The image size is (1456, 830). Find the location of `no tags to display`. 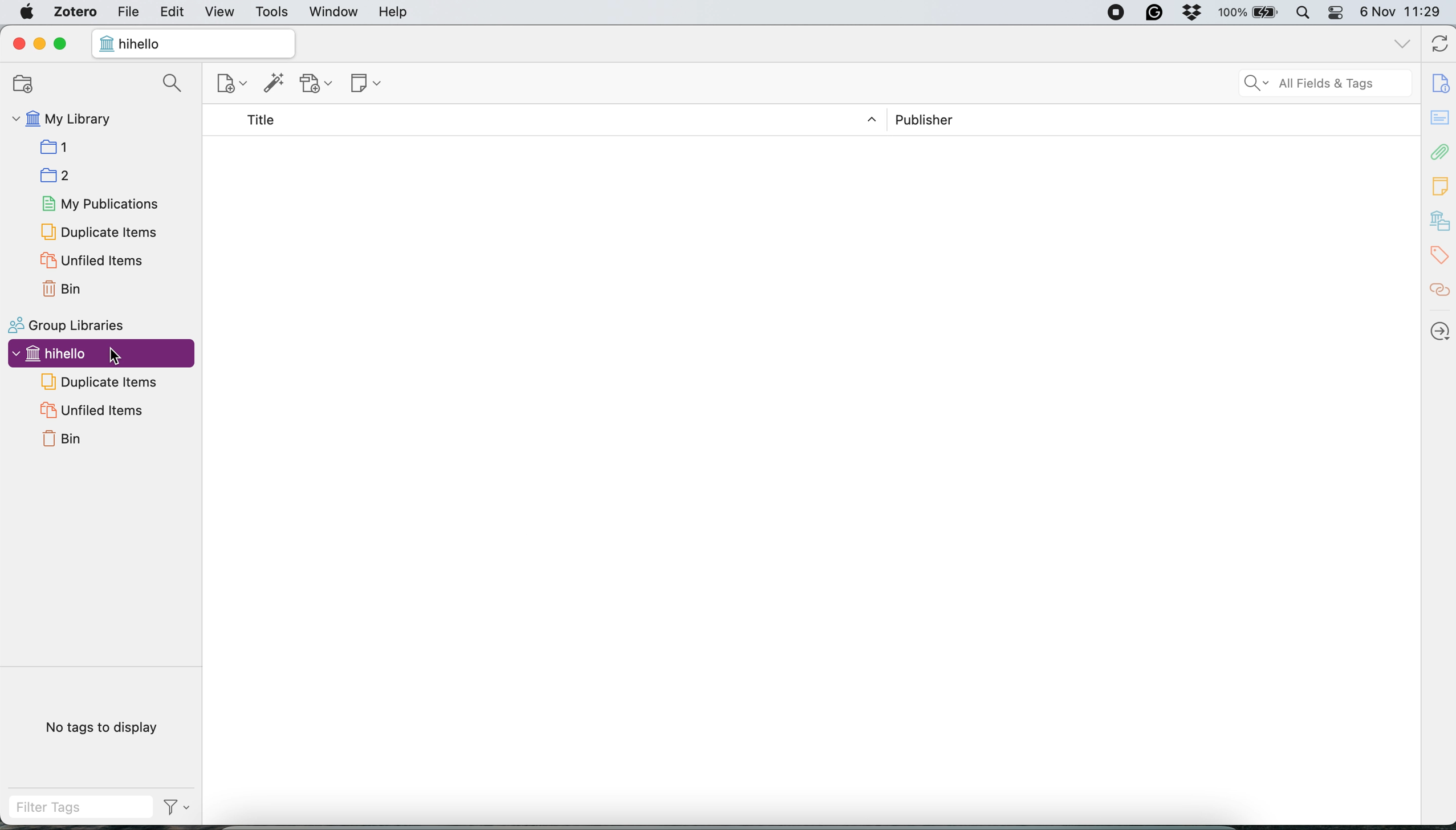

no tags to display is located at coordinates (107, 729).